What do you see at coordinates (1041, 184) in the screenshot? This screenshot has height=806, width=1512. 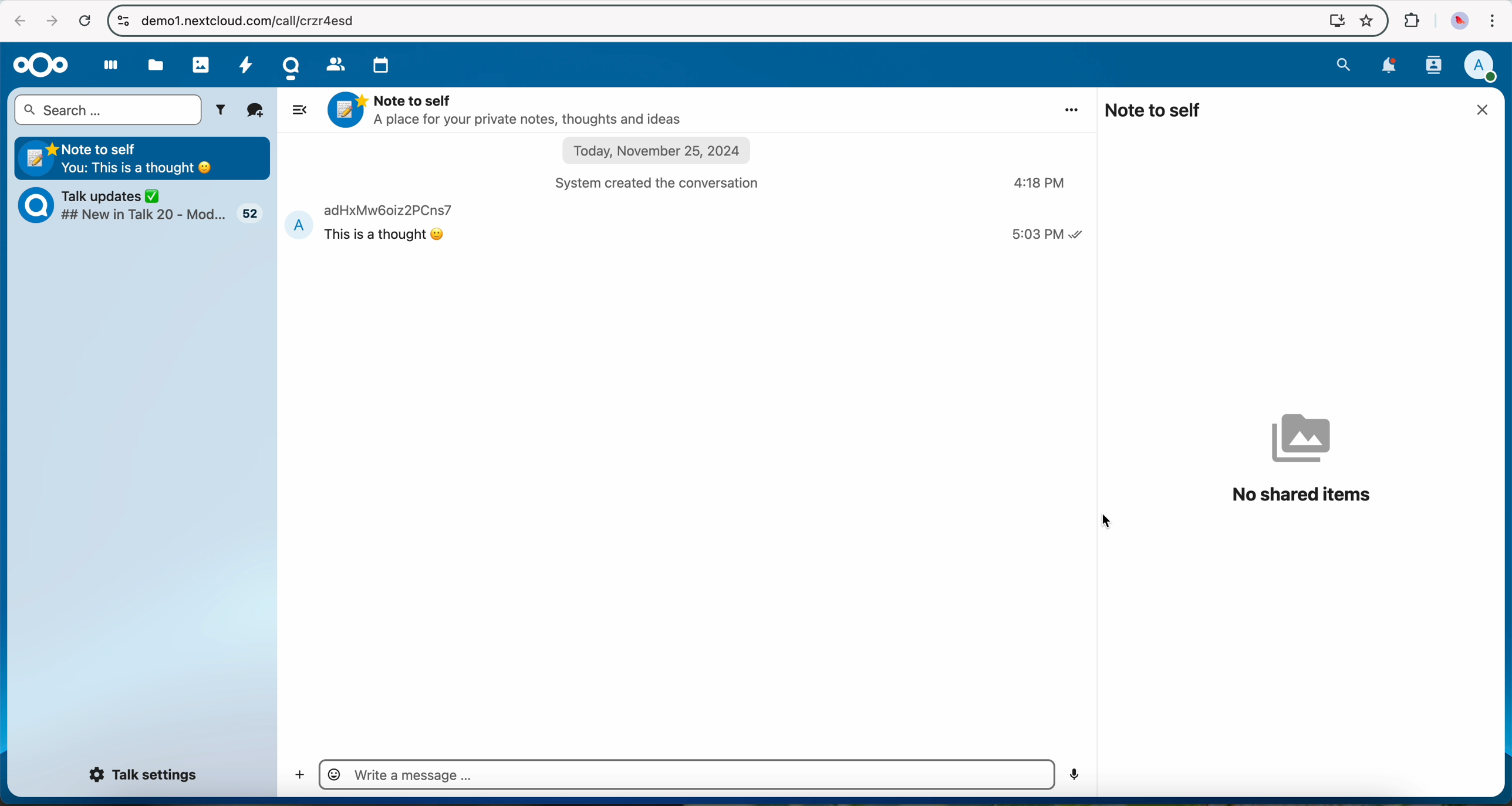 I see `hour` at bounding box center [1041, 184].